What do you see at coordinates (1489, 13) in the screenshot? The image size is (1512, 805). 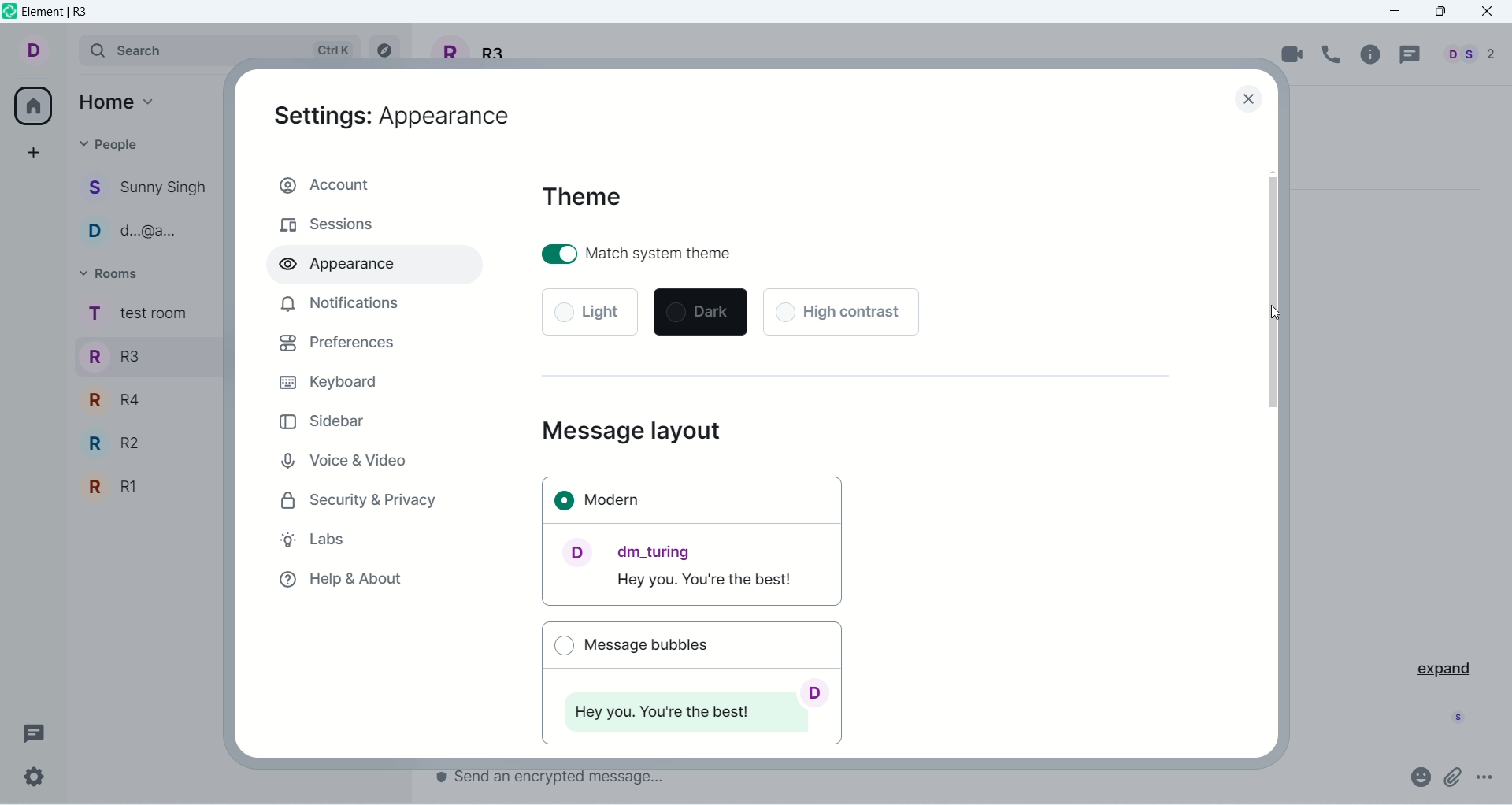 I see `close` at bounding box center [1489, 13].